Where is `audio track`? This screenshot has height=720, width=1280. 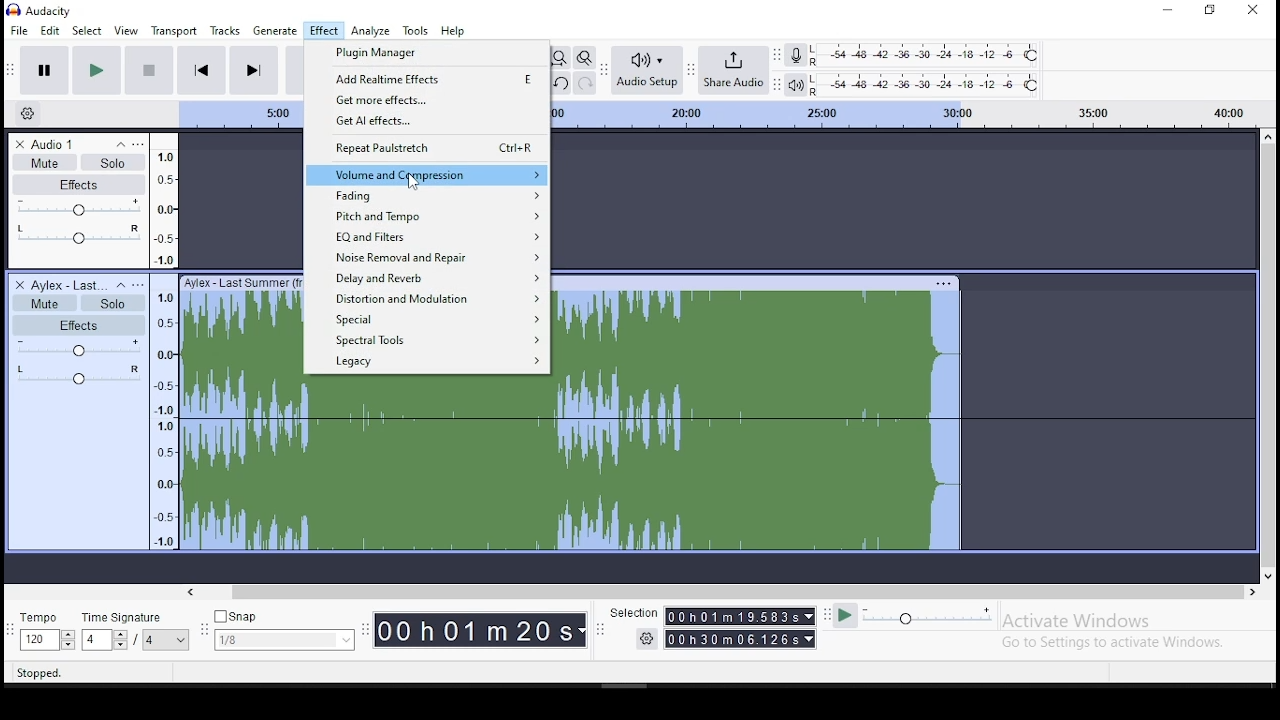 audio track is located at coordinates (239, 324).